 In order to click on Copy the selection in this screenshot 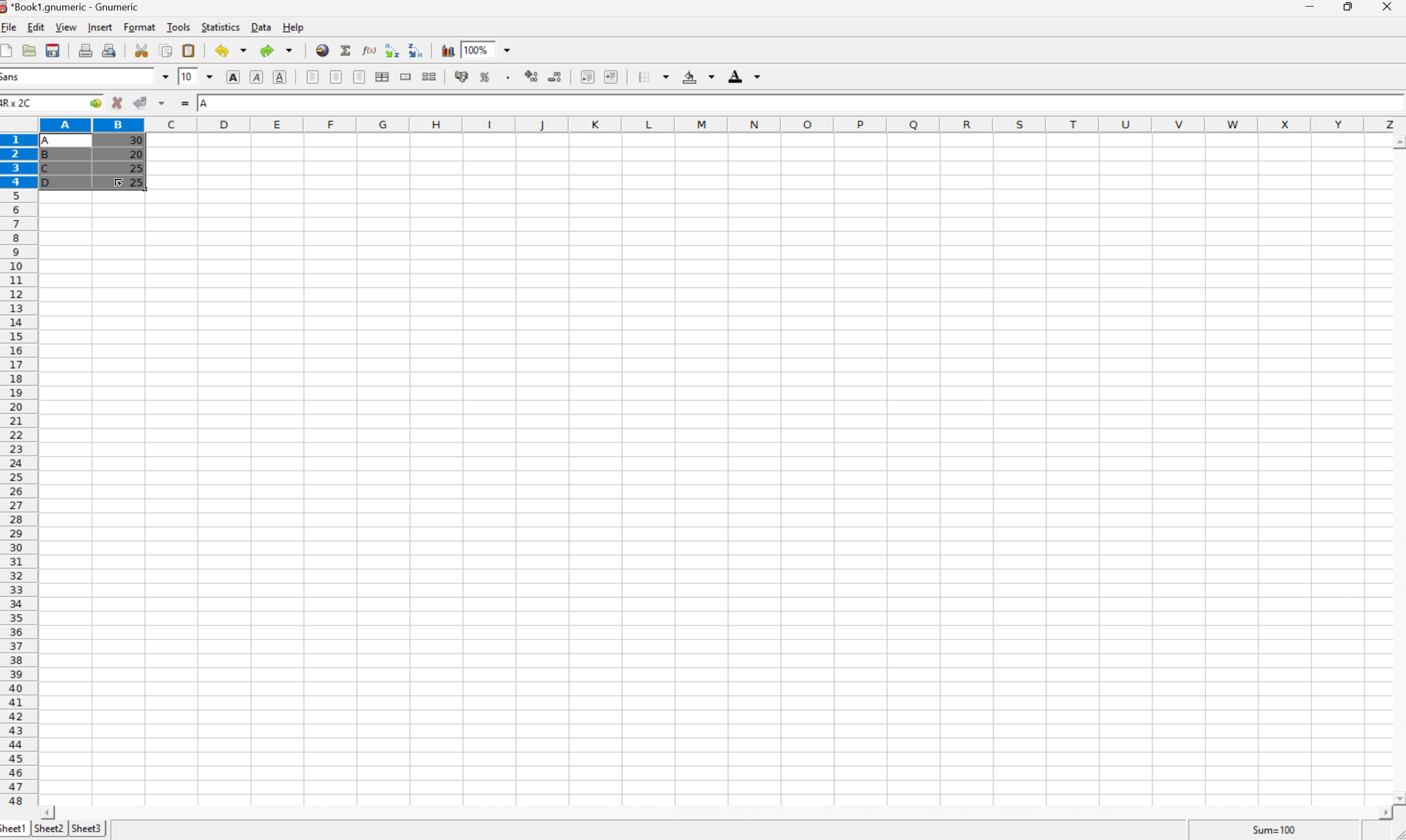, I will do `click(166, 52)`.